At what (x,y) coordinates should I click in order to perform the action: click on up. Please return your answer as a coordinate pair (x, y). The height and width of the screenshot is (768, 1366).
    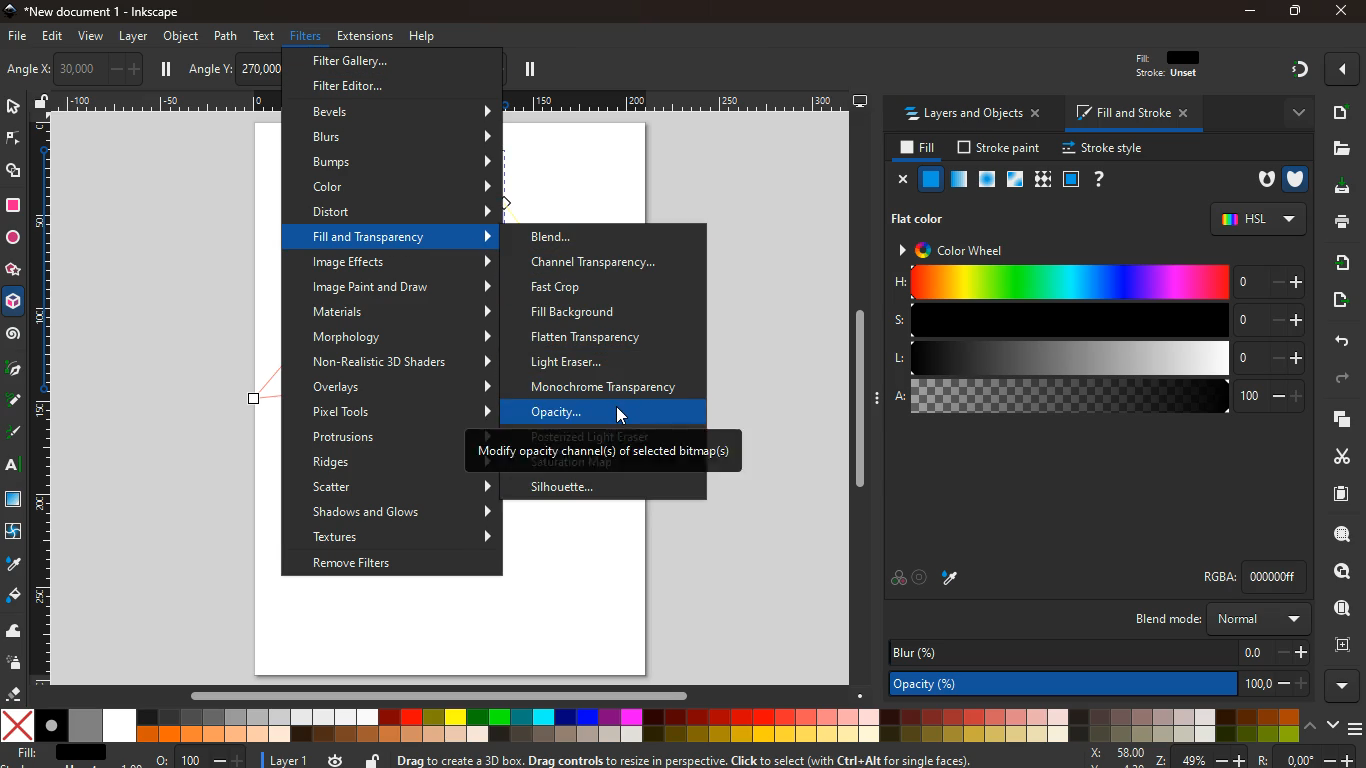
    Looking at the image, I should click on (1311, 727).